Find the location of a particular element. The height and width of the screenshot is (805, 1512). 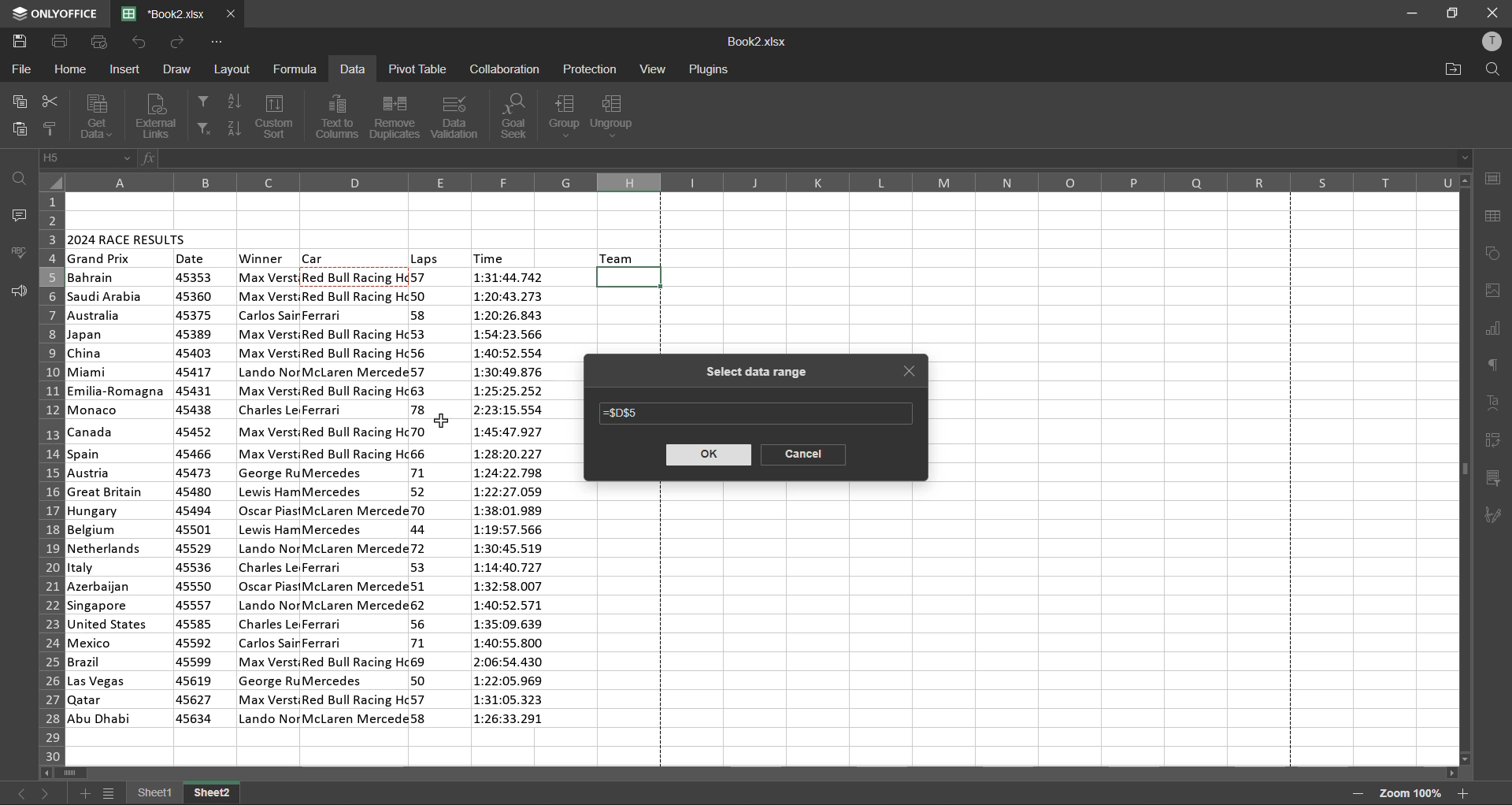

maximize is located at coordinates (1455, 12).